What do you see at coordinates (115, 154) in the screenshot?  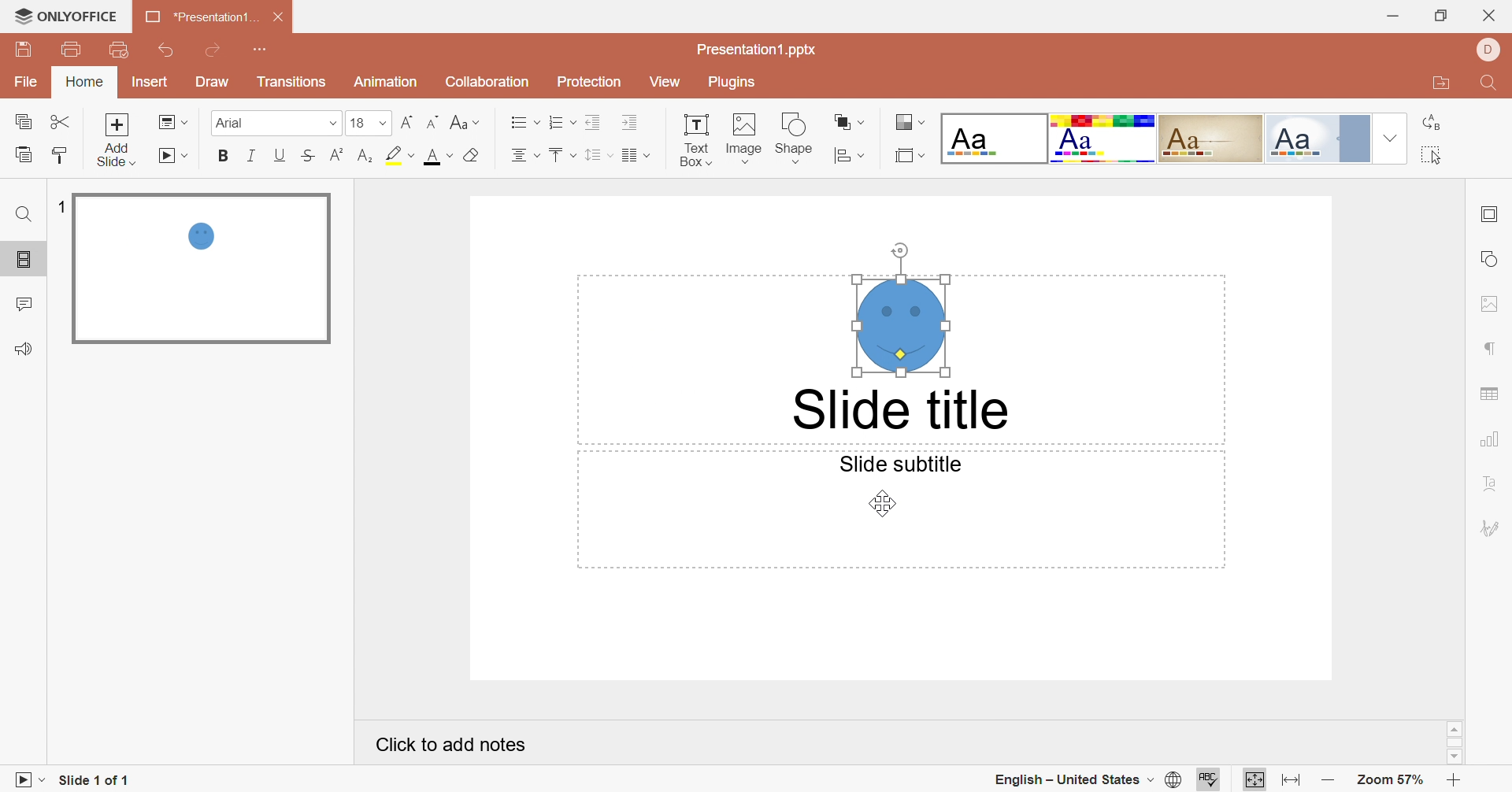 I see `add slide with theme` at bounding box center [115, 154].